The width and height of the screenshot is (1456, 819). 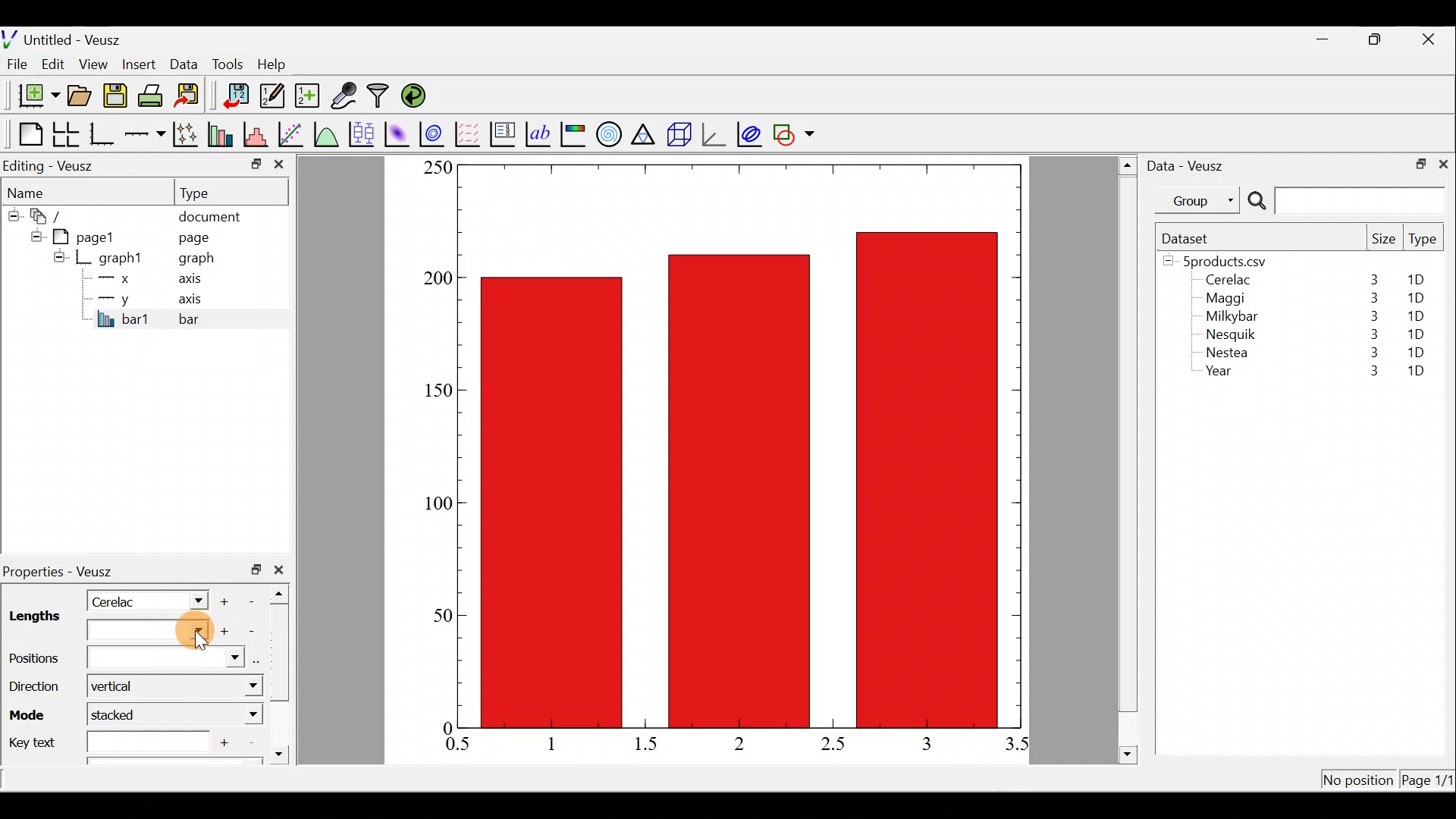 I want to click on Base graph, so click(x=103, y=134).